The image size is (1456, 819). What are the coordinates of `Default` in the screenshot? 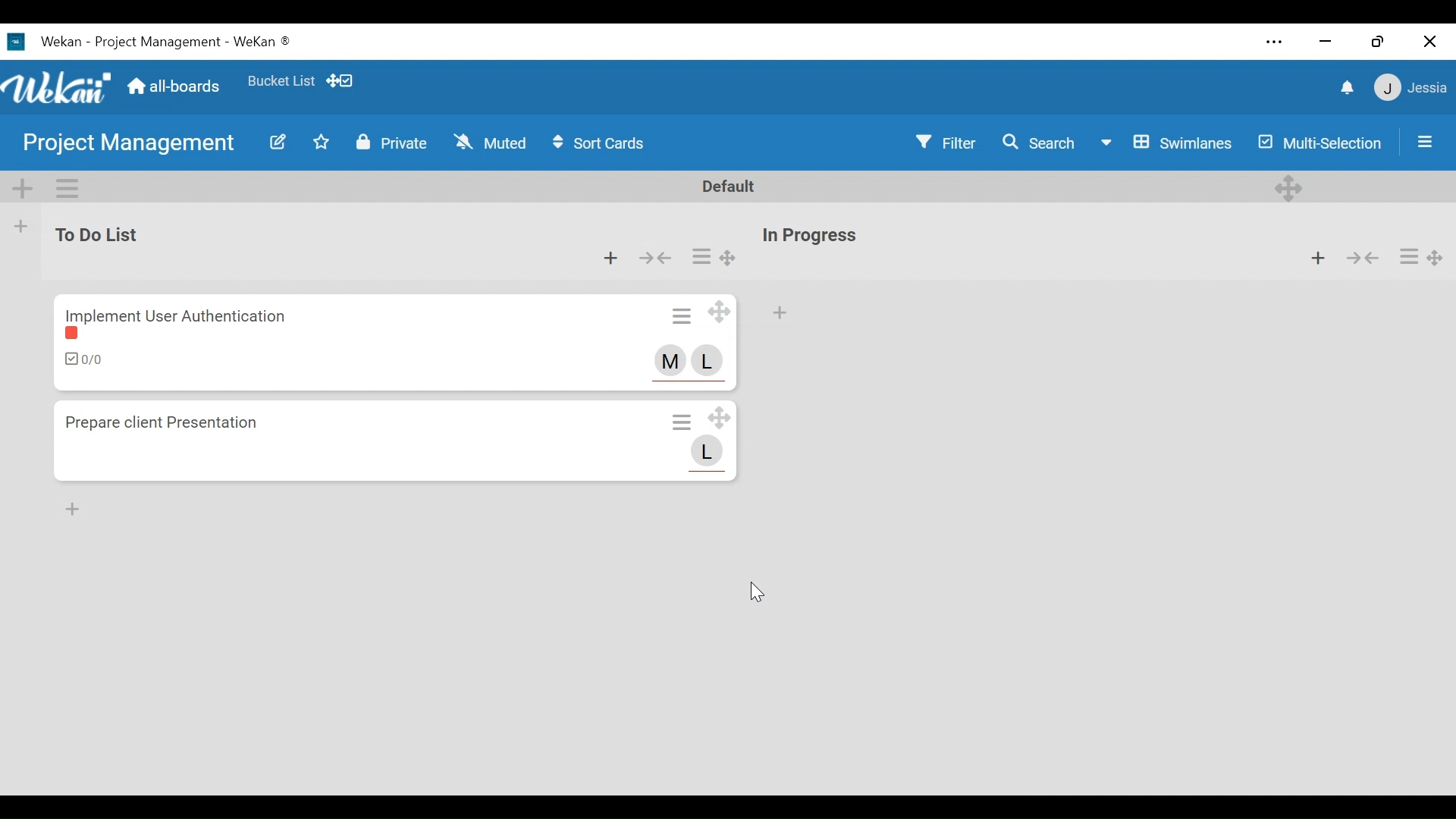 It's located at (730, 186).